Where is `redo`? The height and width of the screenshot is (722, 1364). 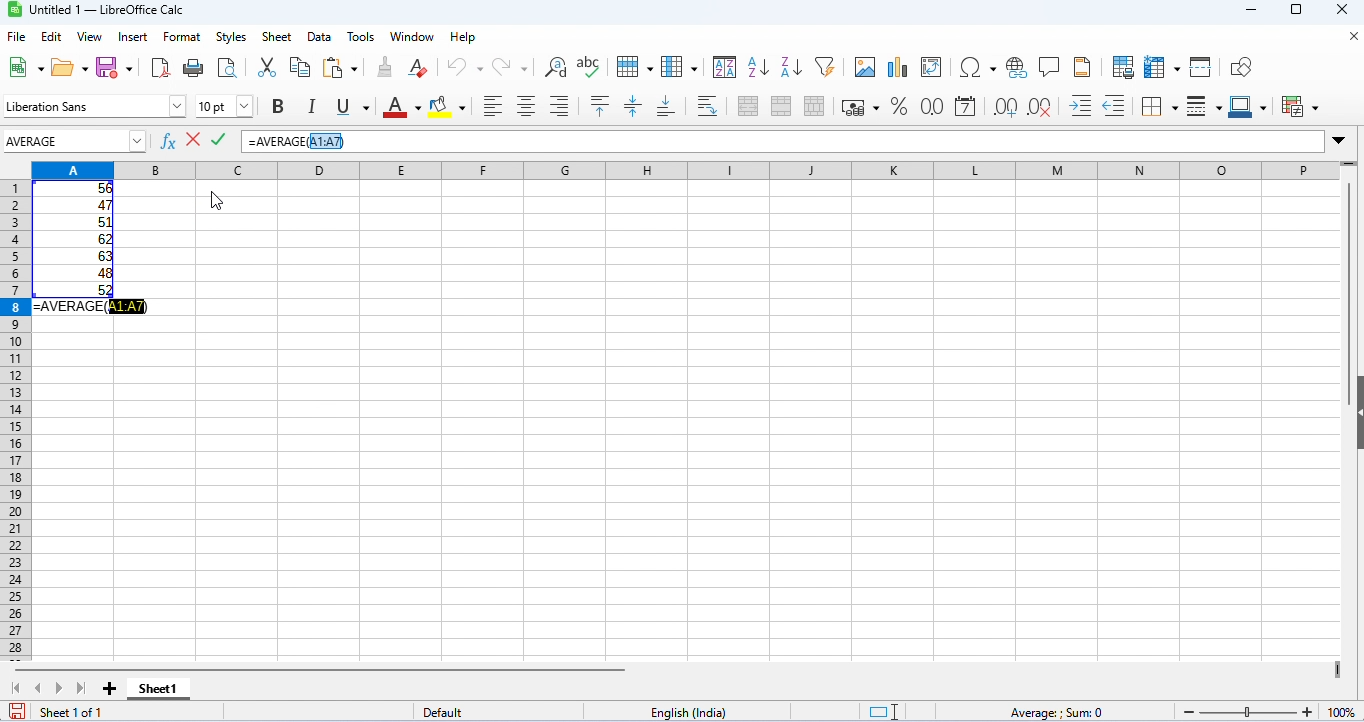
redo is located at coordinates (512, 67).